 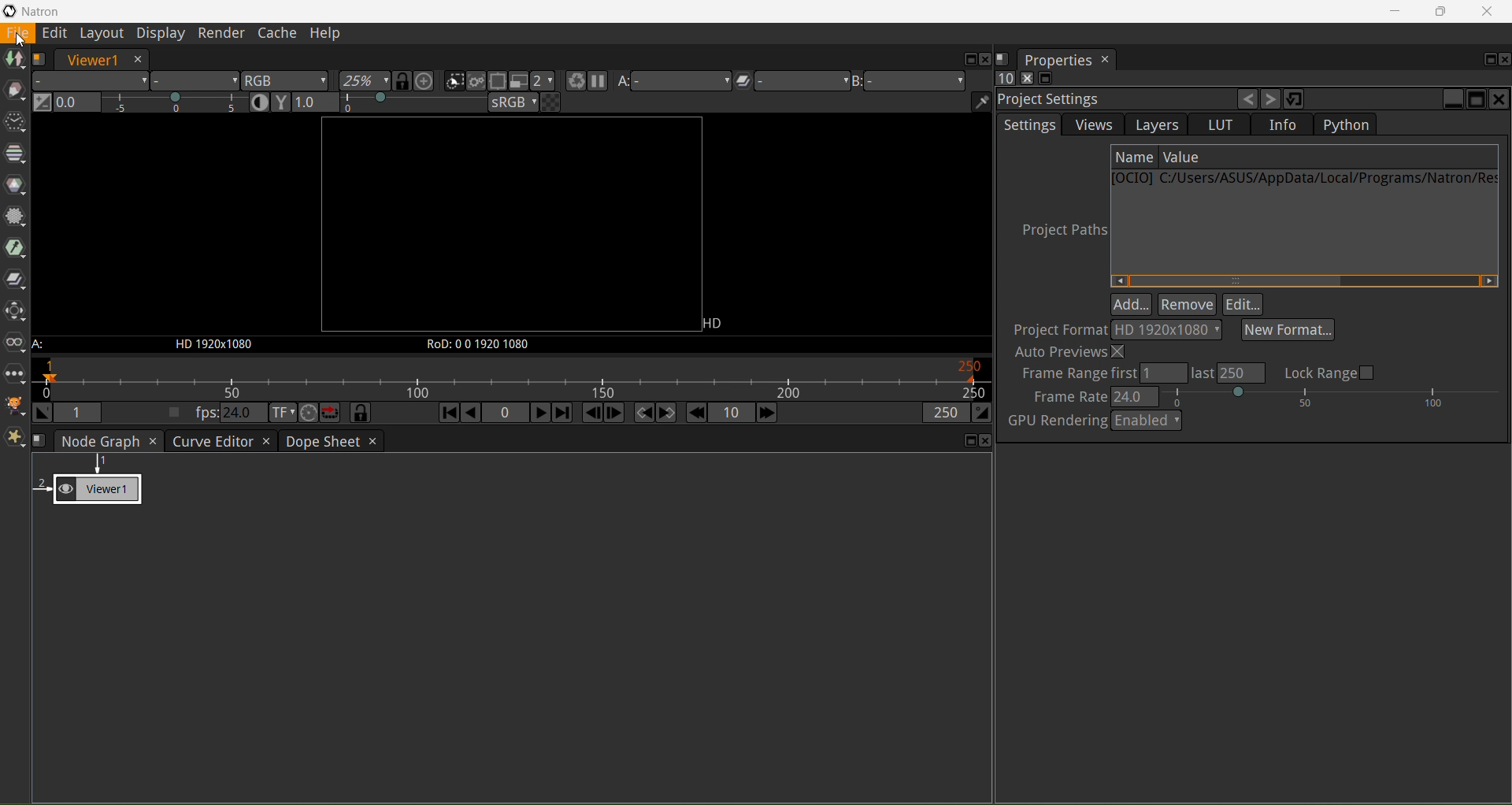 What do you see at coordinates (16, 187) in the screenshot?
I see `Color` at bounding box center [16, 187].